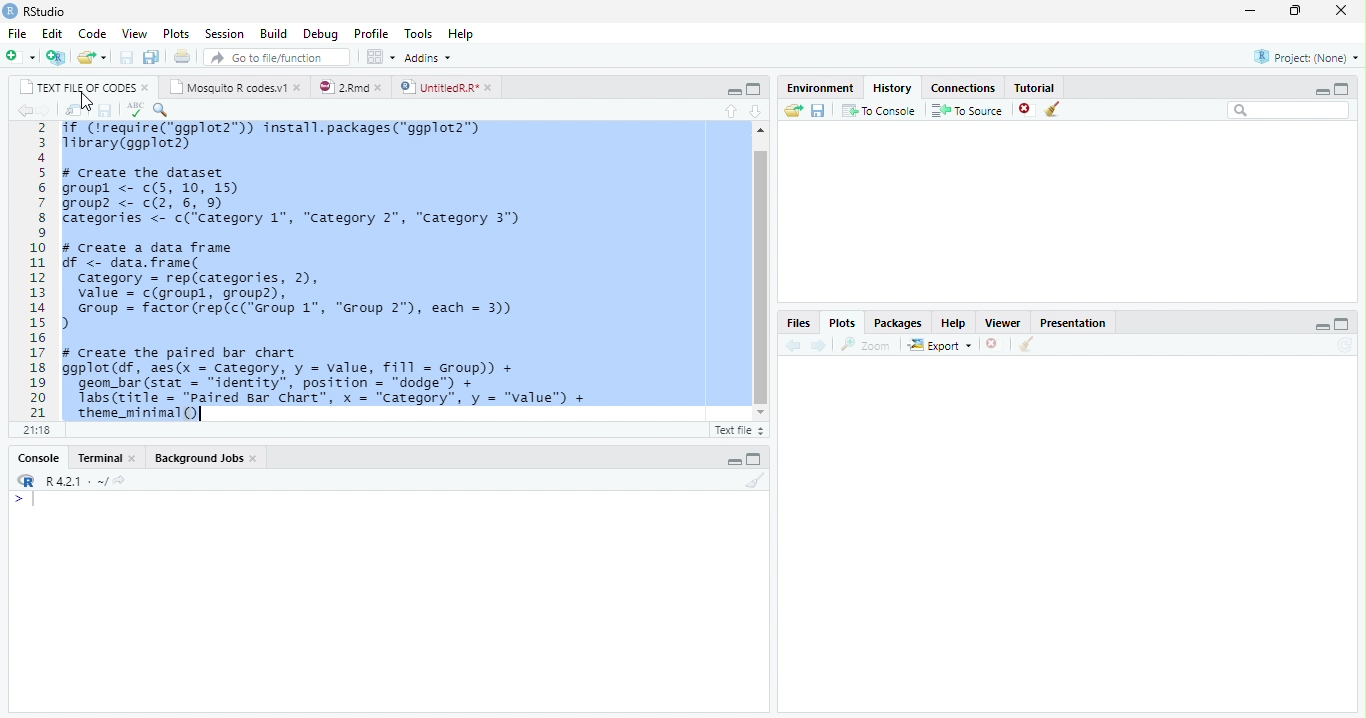  Describe the element at coordinates (320, 33) in the screenshot. I see `debug` at that location.